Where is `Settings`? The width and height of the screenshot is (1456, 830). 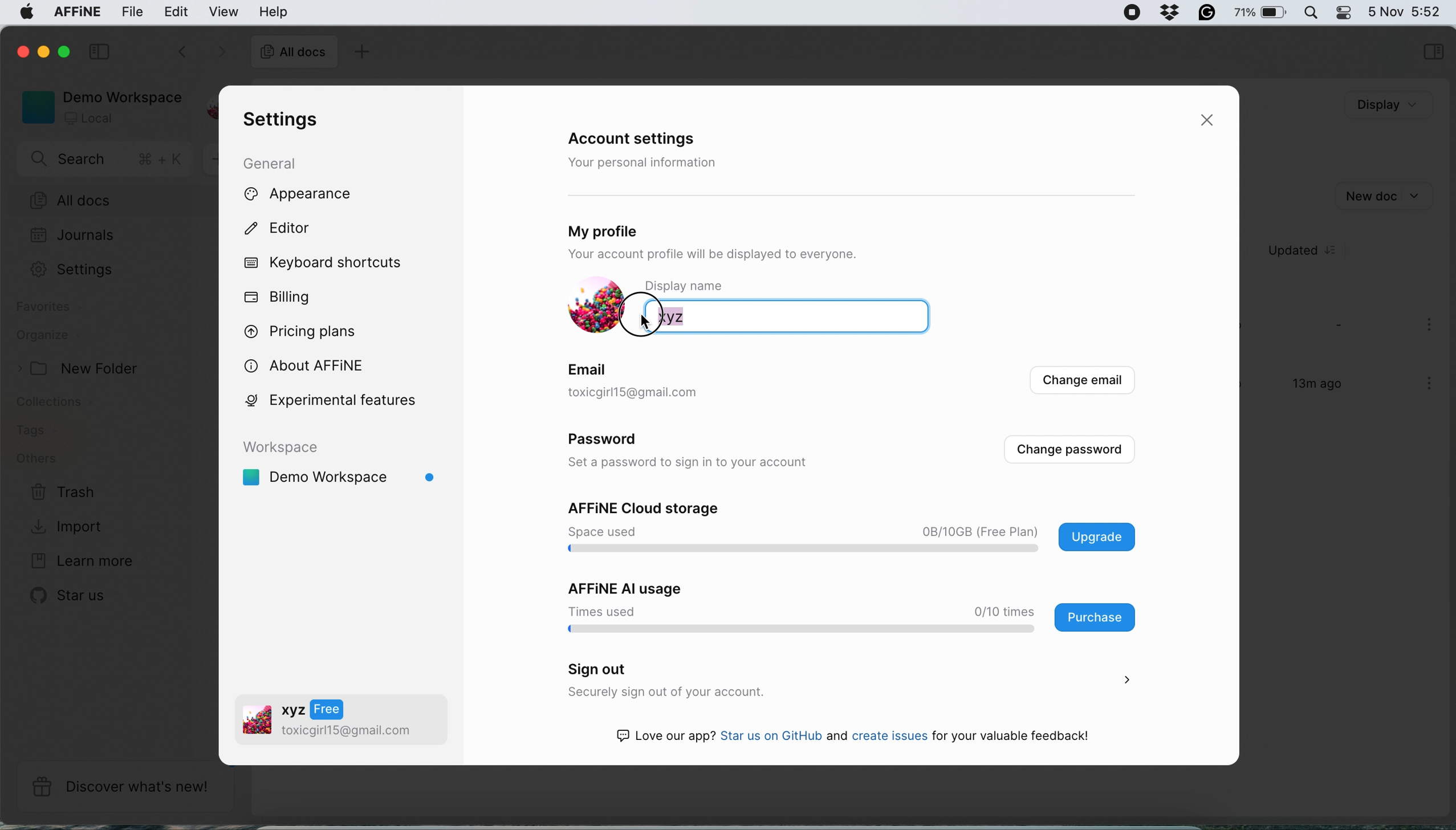 Settings is located at coordinates (85, 269).